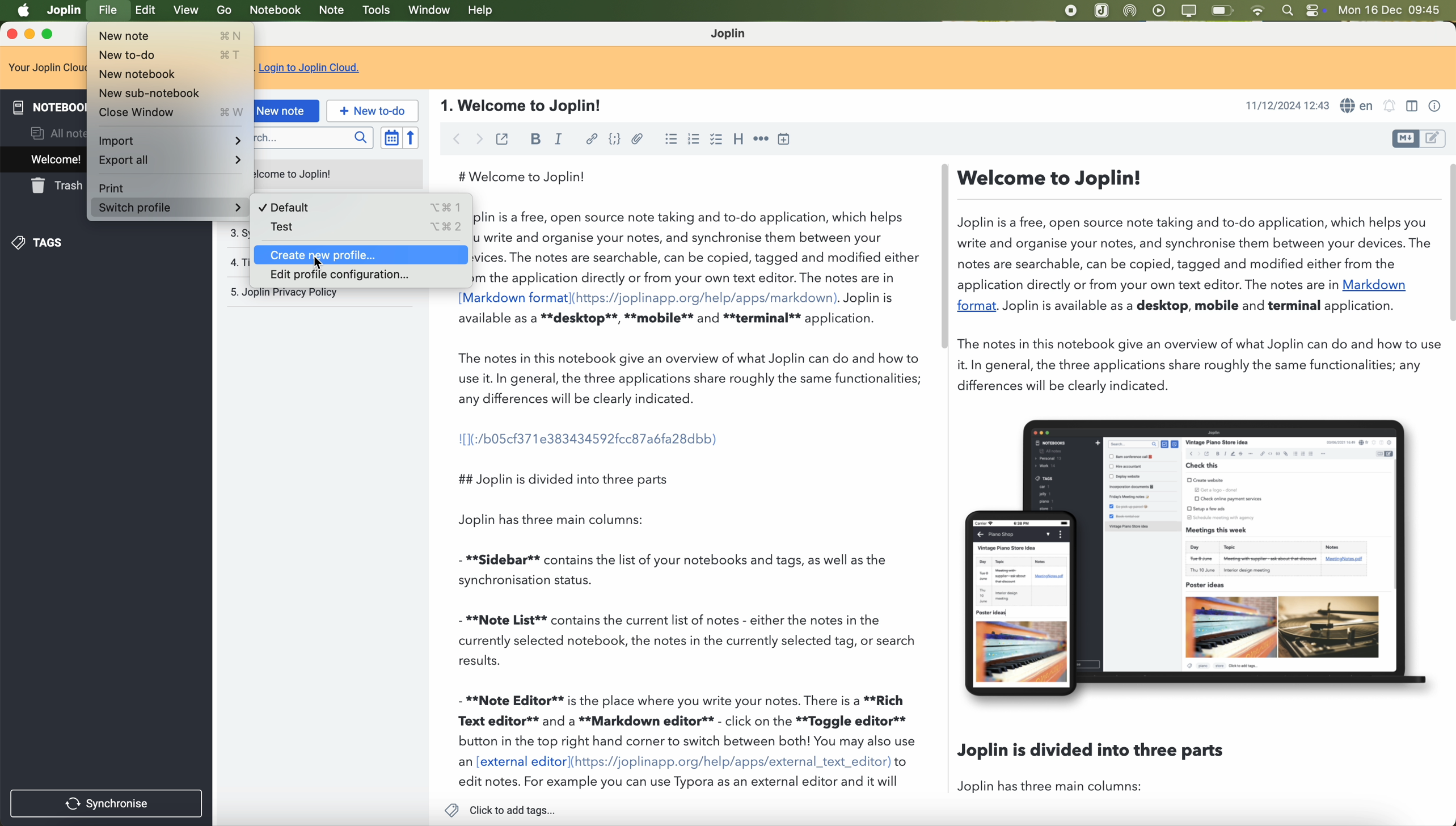 Image resolution: width=1456 pixels, height=826 pixels. I want to click on heading, so click(740, 138).